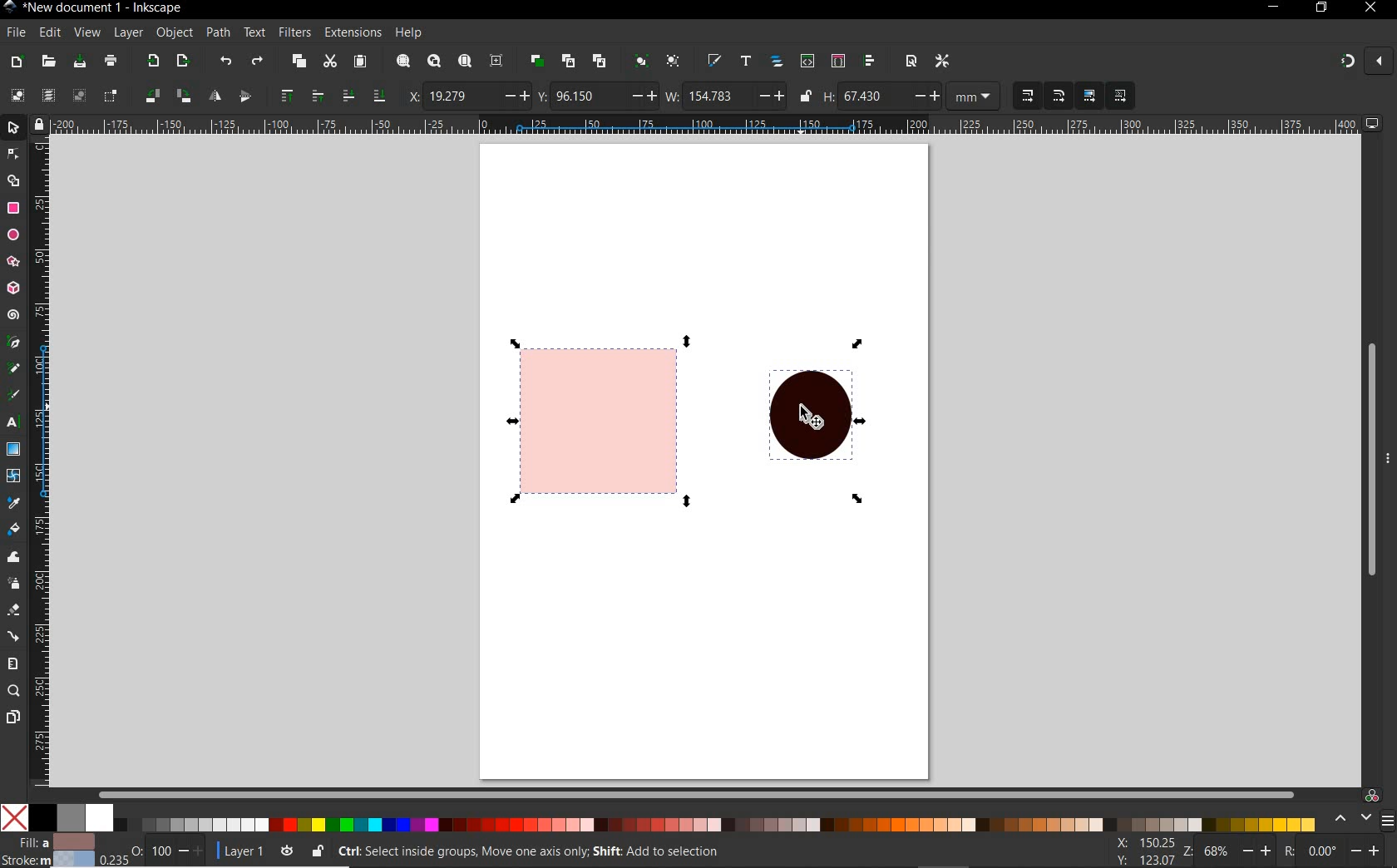 Image resolution: width=1397 pixels, height=868 pixels. What do you see at coordinates (49, 62) in the screenshot?
I see `open file dialog` at bounding box center [49, 62].